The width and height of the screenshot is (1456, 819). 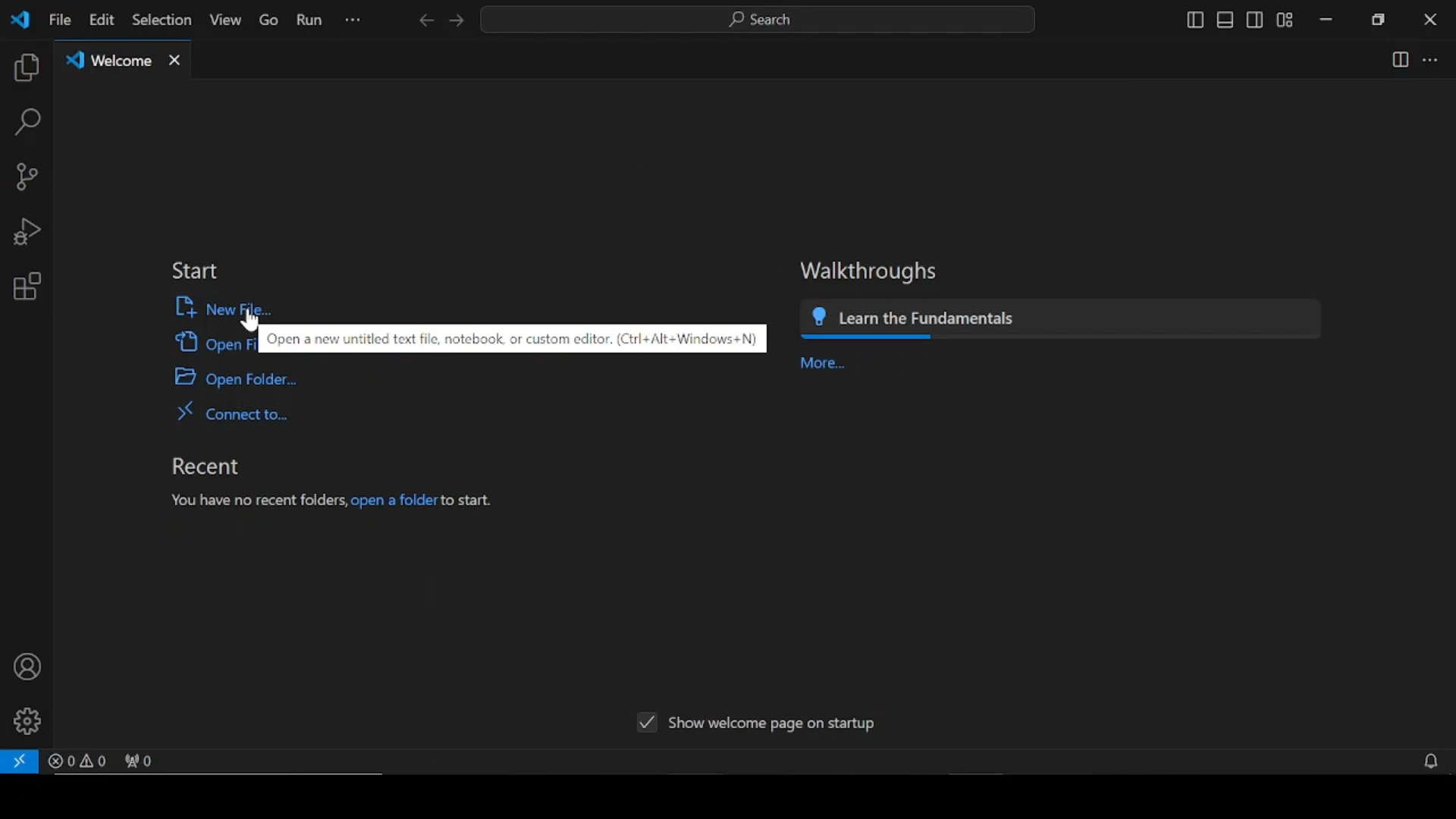 I want to click on notifications, so click(x=1433, y=763).